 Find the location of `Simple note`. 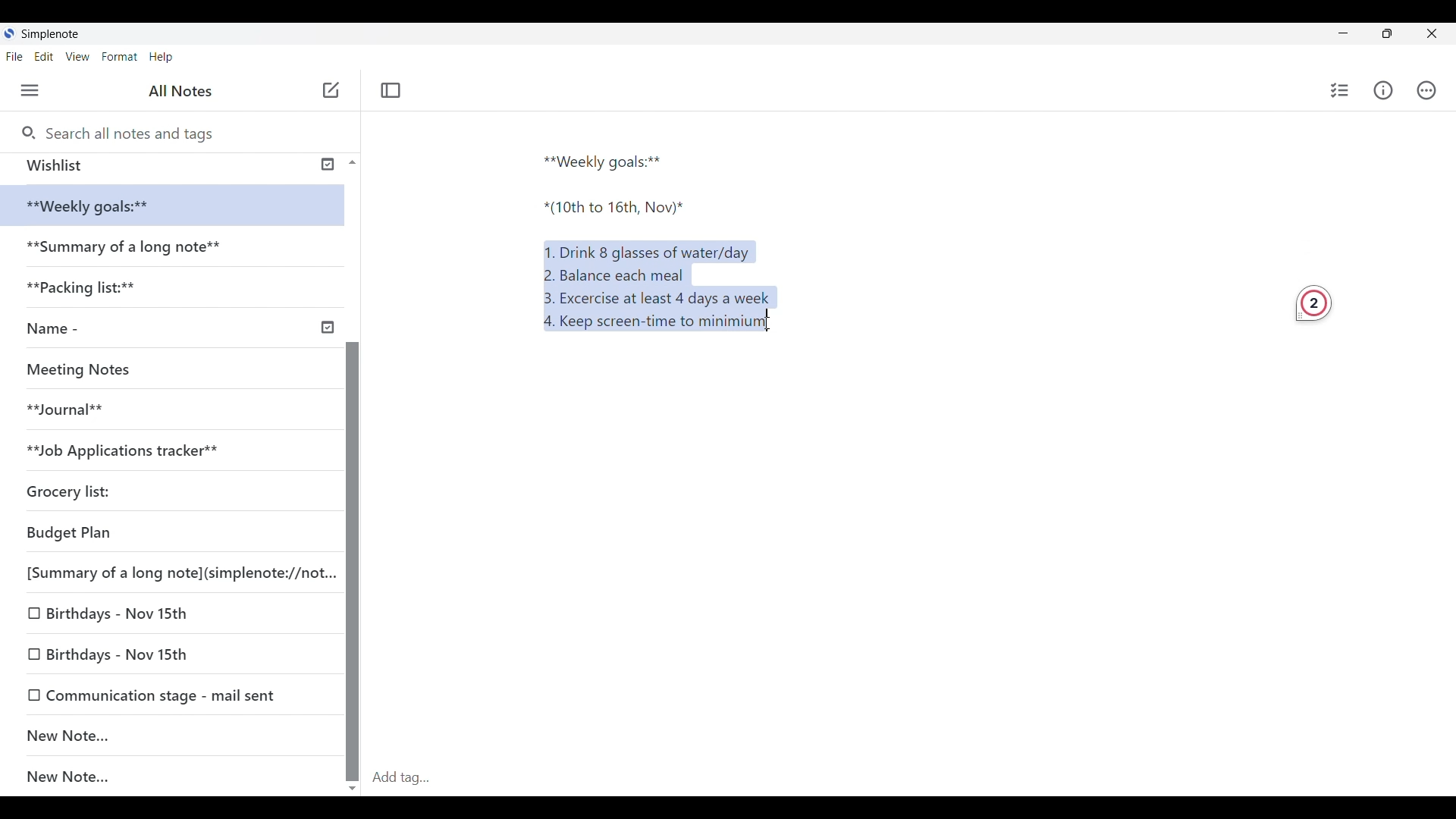

Simple note is located at coordinates (52, 33).